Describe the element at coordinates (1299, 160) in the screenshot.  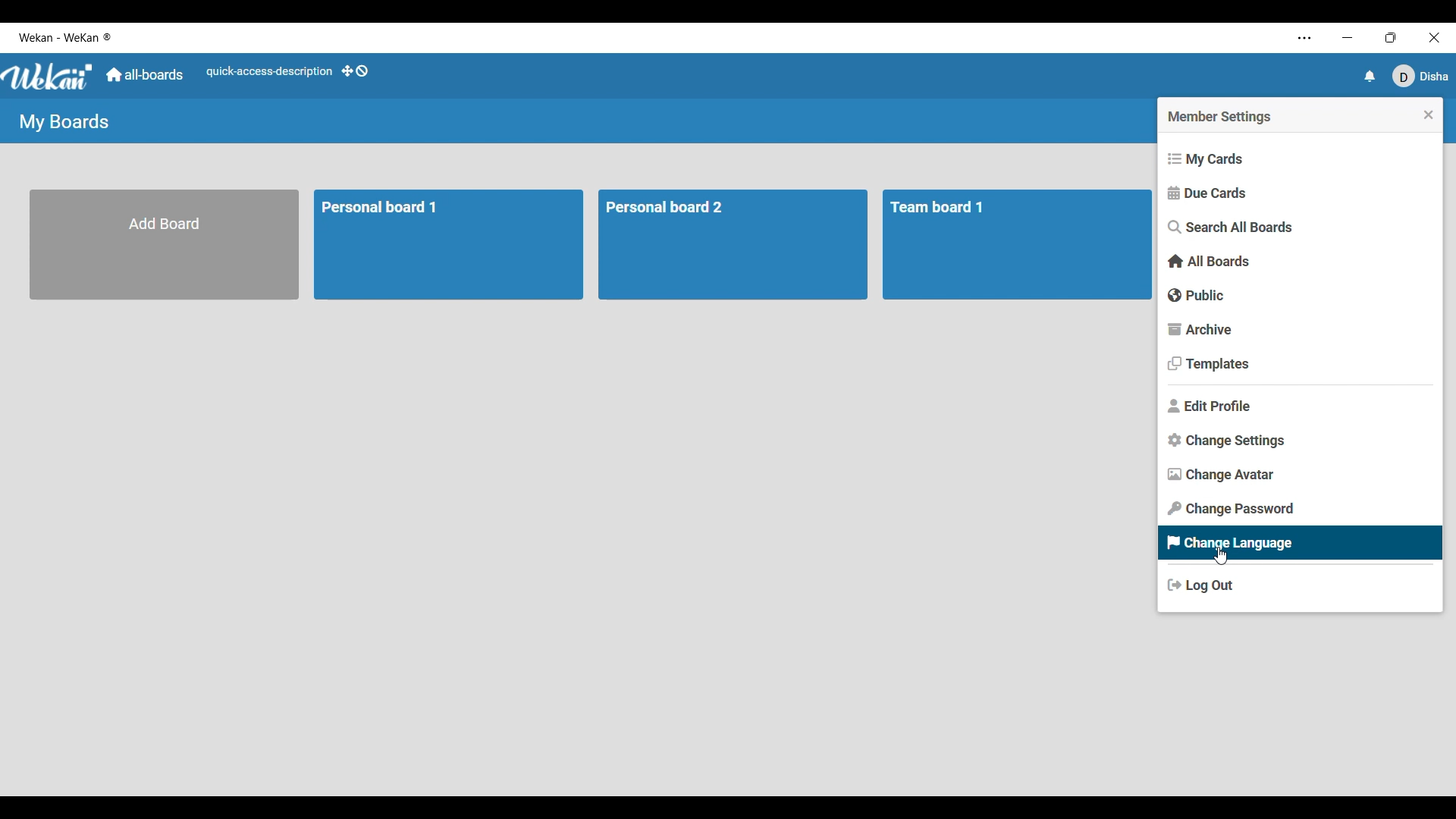
I see `My cards` at that location.